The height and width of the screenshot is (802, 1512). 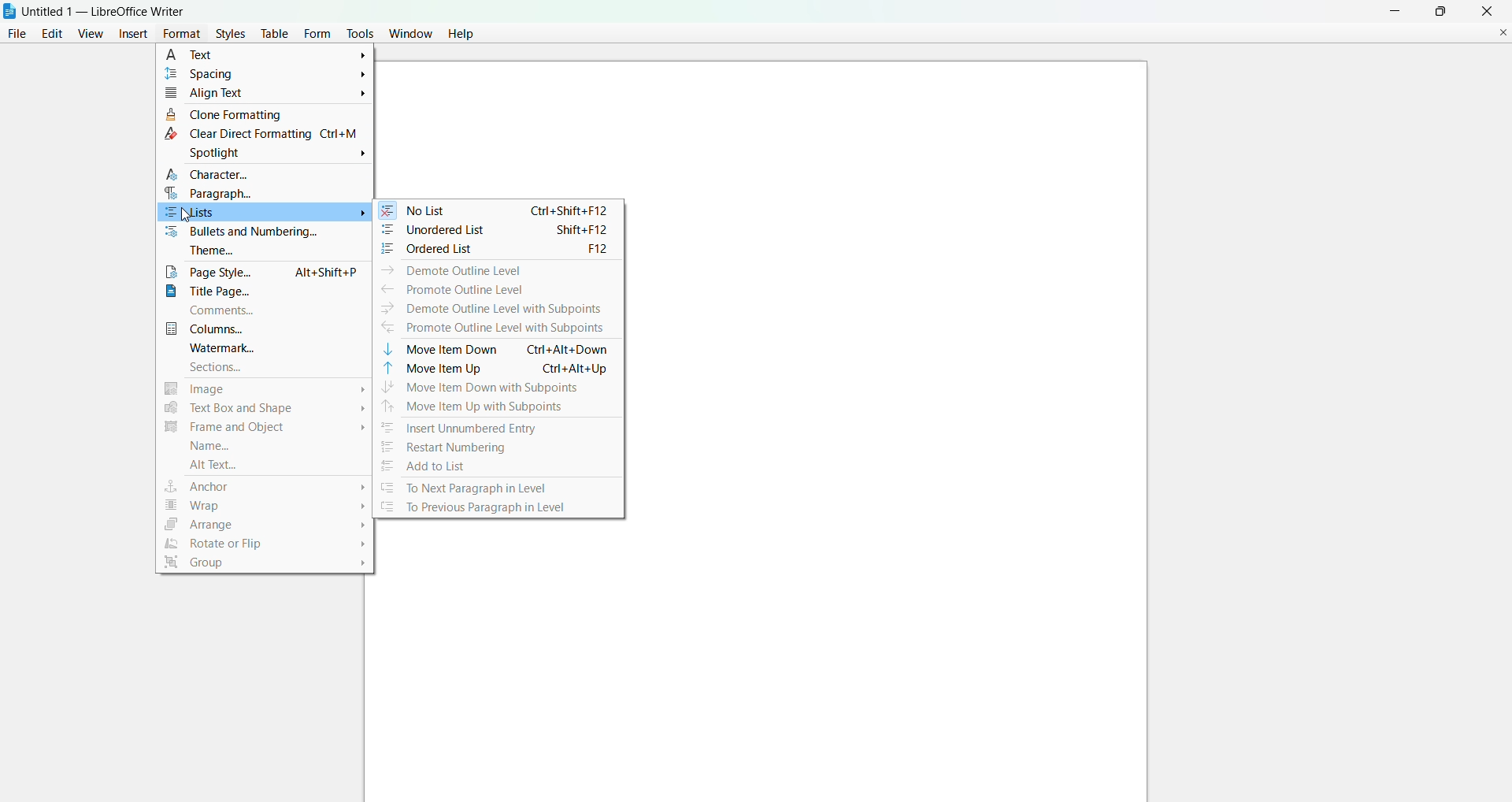 What do you see at coordinates (265, 567) in the screenshot?
I see `group` at bounding box center [265, 567].